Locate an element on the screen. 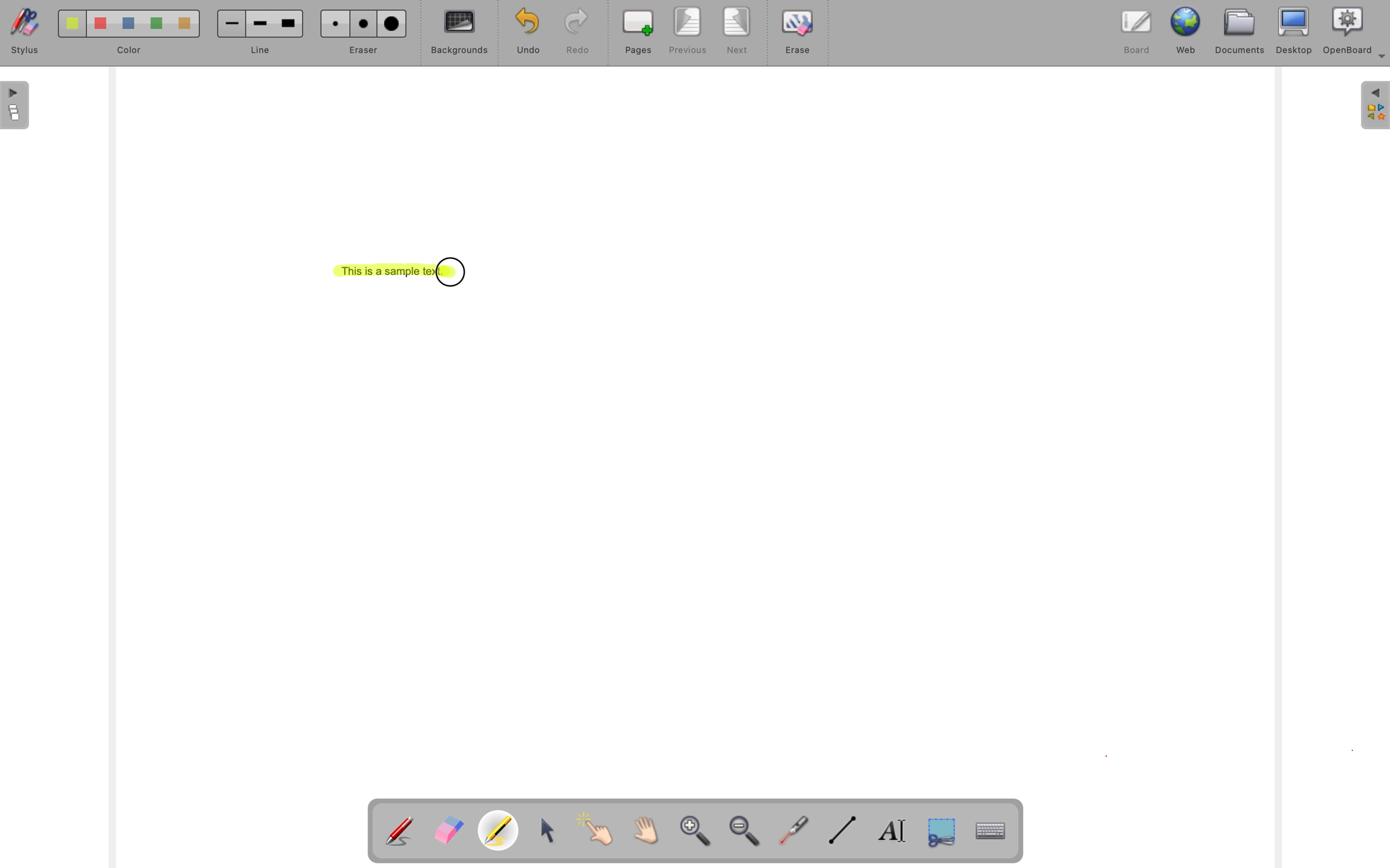 The image size is (1390, 868). Small line is located at coordinates (232, 24).